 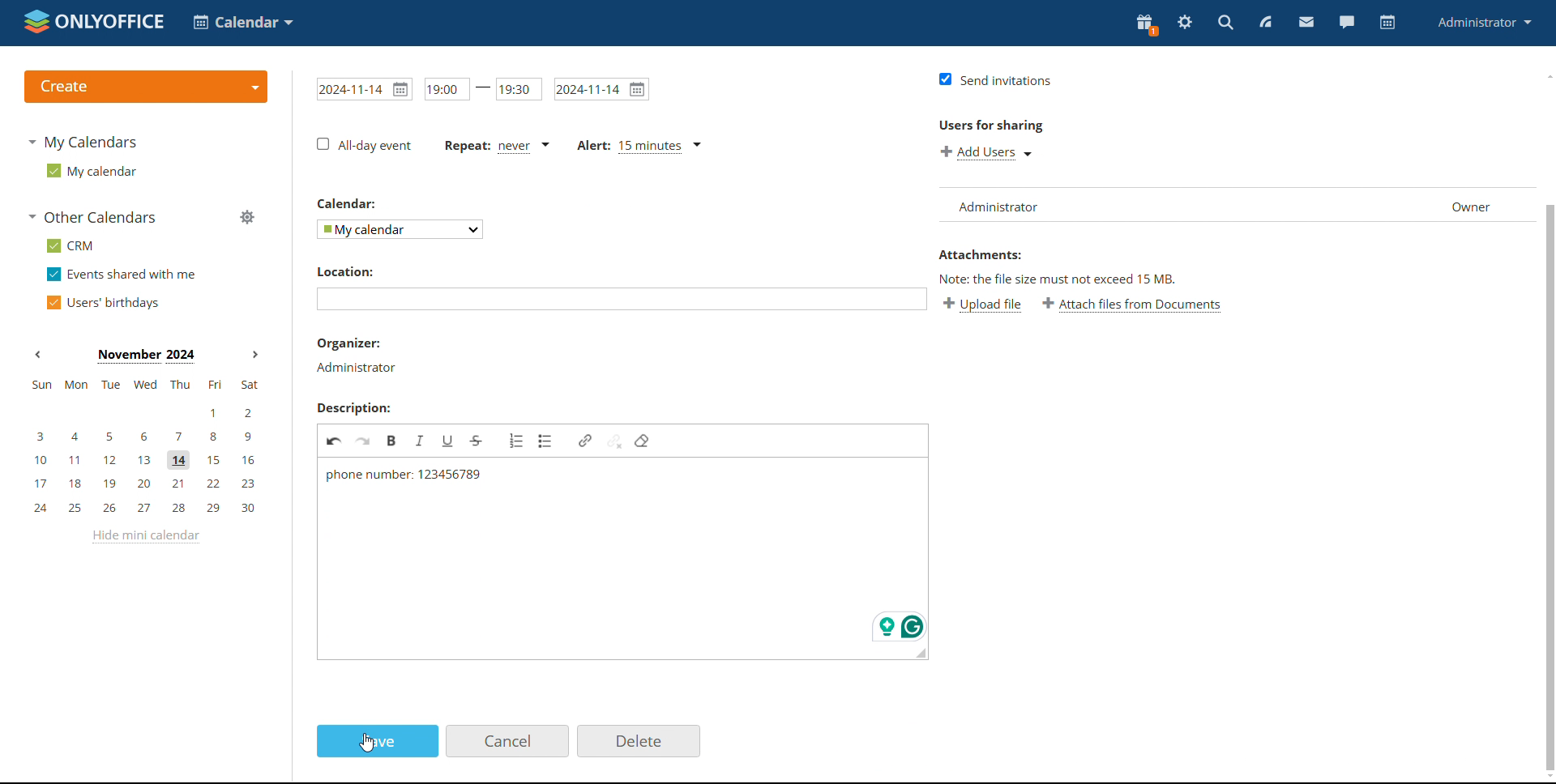 I want to click on textbox, so click(x=622, y=300).